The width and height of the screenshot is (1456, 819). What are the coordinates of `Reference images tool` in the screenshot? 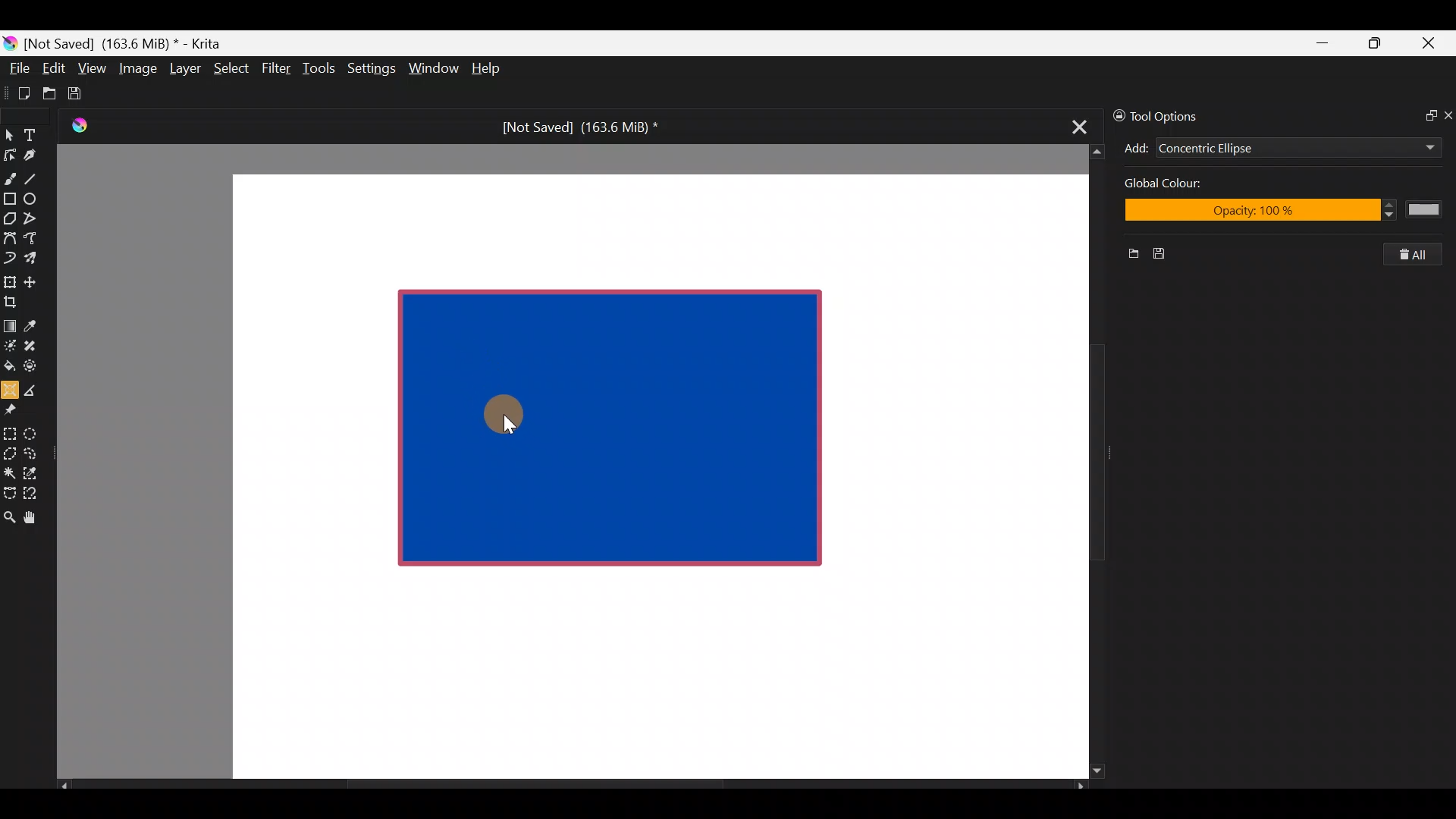 It's located at (15, 408).